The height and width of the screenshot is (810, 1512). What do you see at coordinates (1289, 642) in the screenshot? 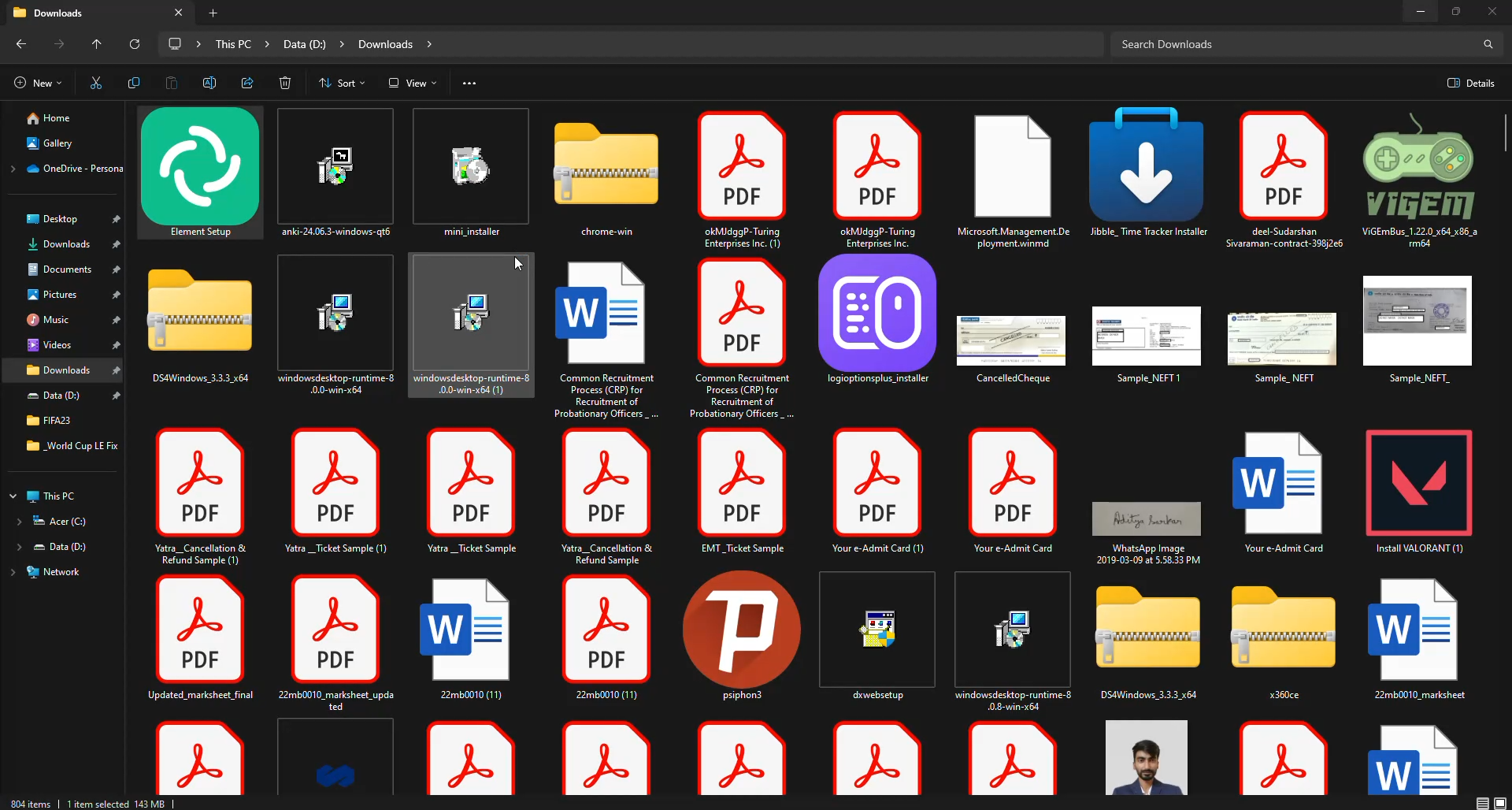
I see `folder` at bounding box center [1289, 642].